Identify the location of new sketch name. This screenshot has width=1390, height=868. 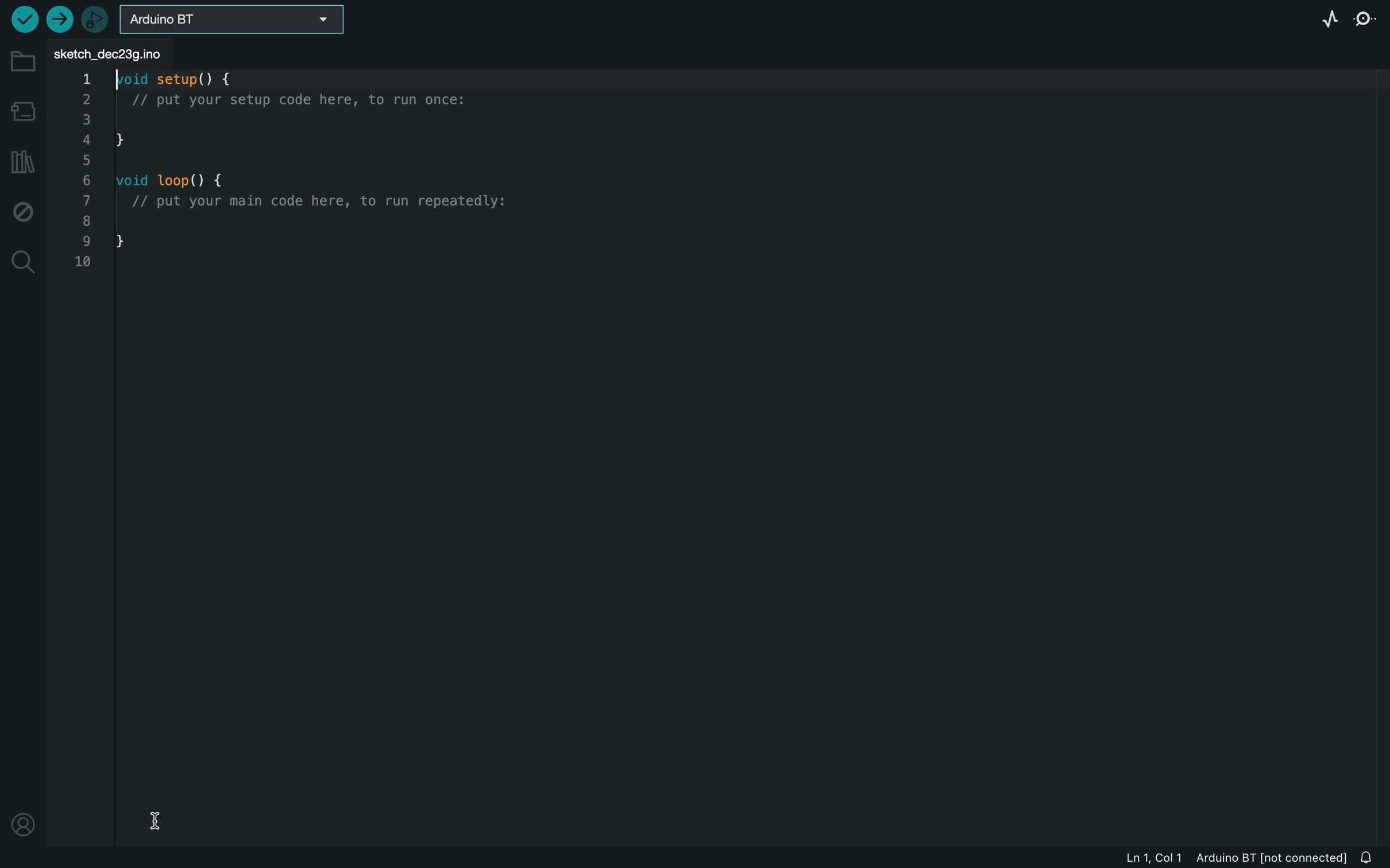
(116, 55).